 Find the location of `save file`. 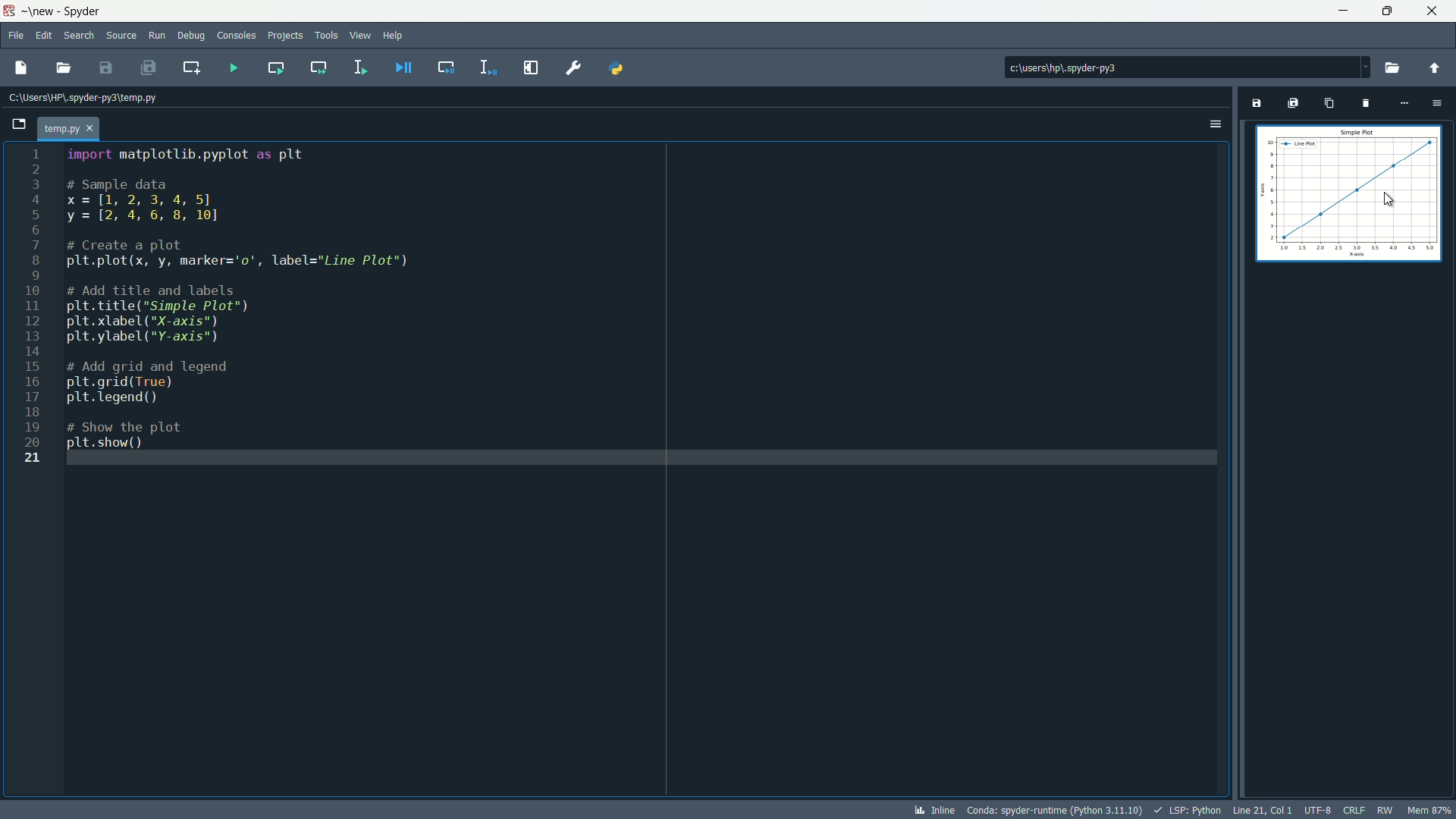

save file is located at coordinates (19, 68).